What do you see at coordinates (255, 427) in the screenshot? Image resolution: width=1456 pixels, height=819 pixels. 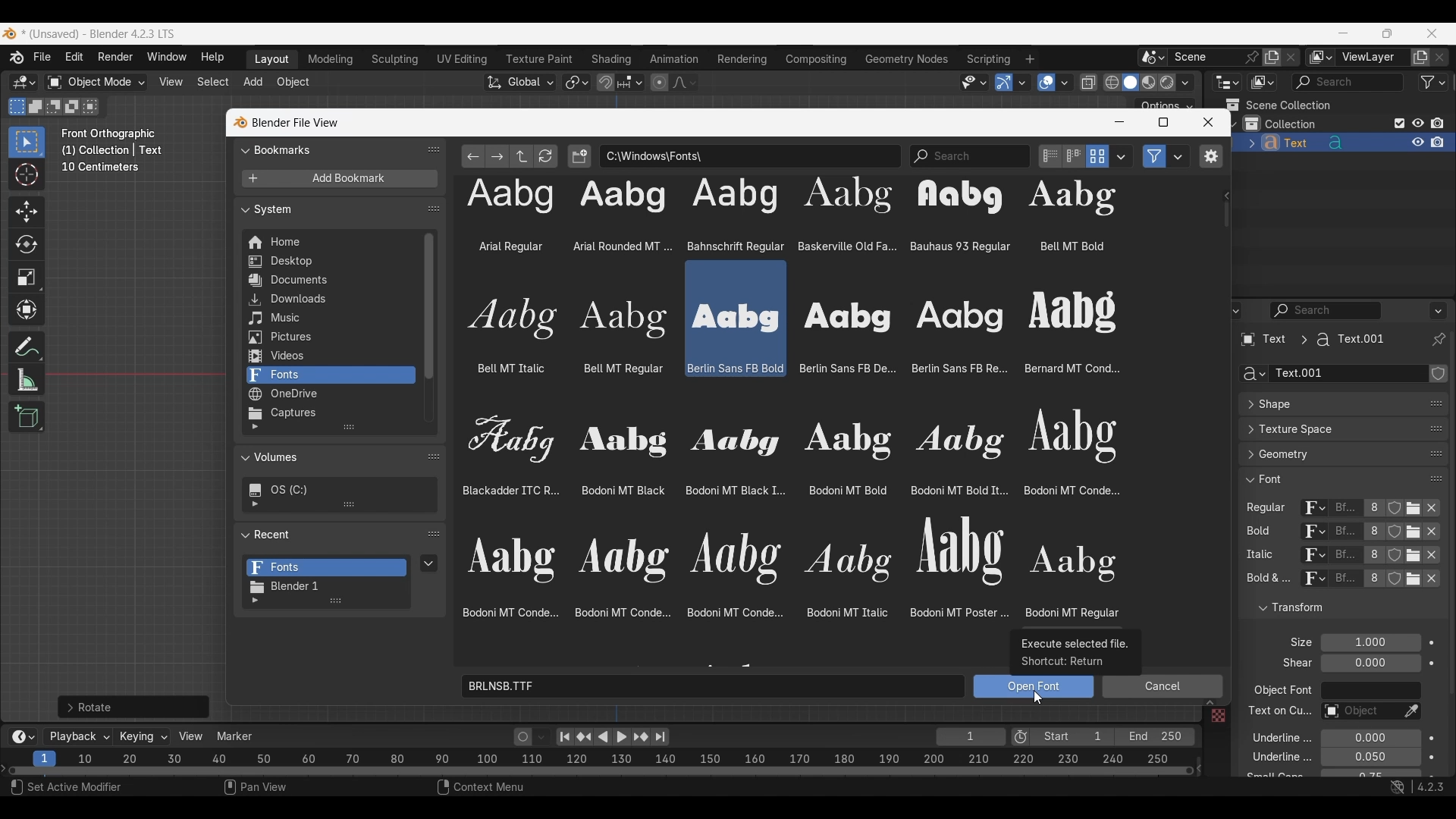 I see `Show filtering options` at bounding box center [255, 427].